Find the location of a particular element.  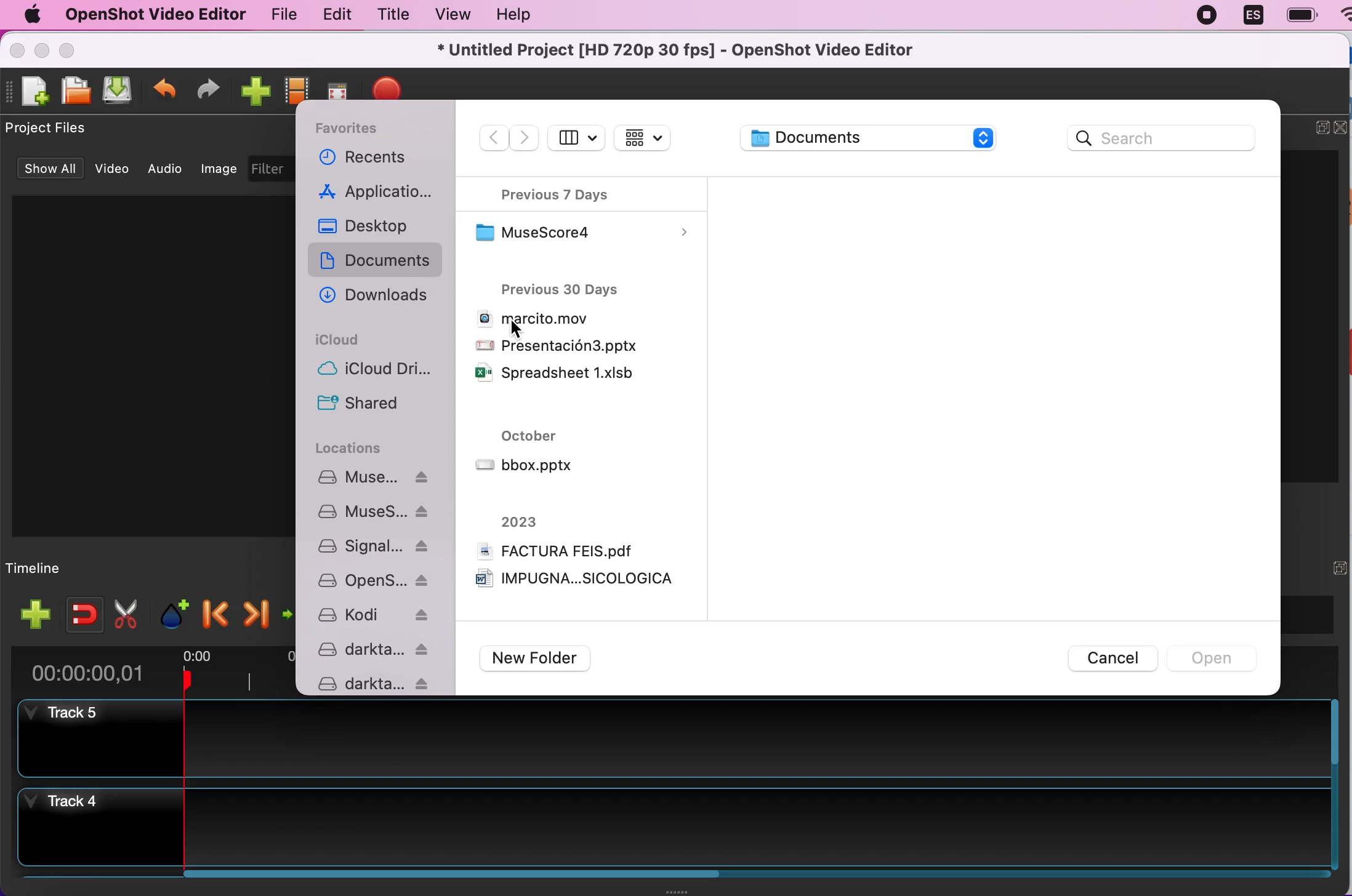

Presentacion3.pptx is located at coordinates (557, 345).